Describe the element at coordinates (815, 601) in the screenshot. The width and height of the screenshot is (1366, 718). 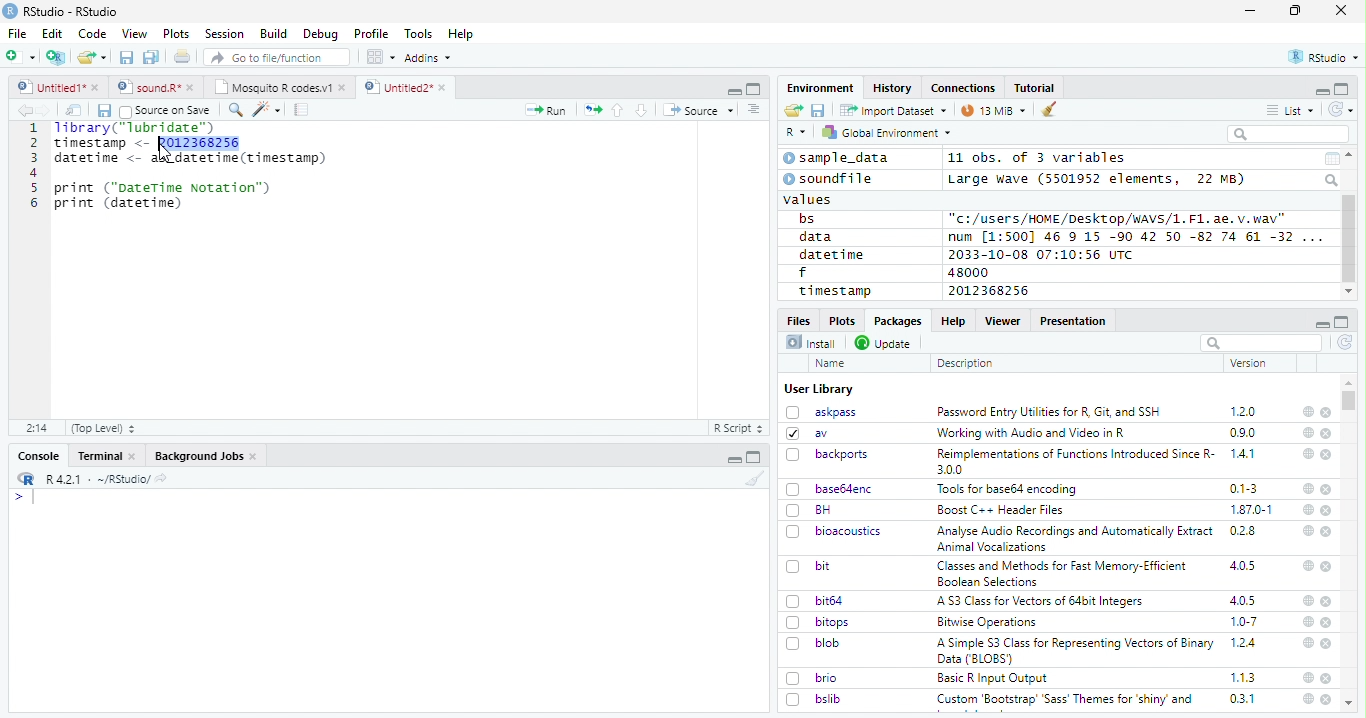
I see `bit64` at that location.